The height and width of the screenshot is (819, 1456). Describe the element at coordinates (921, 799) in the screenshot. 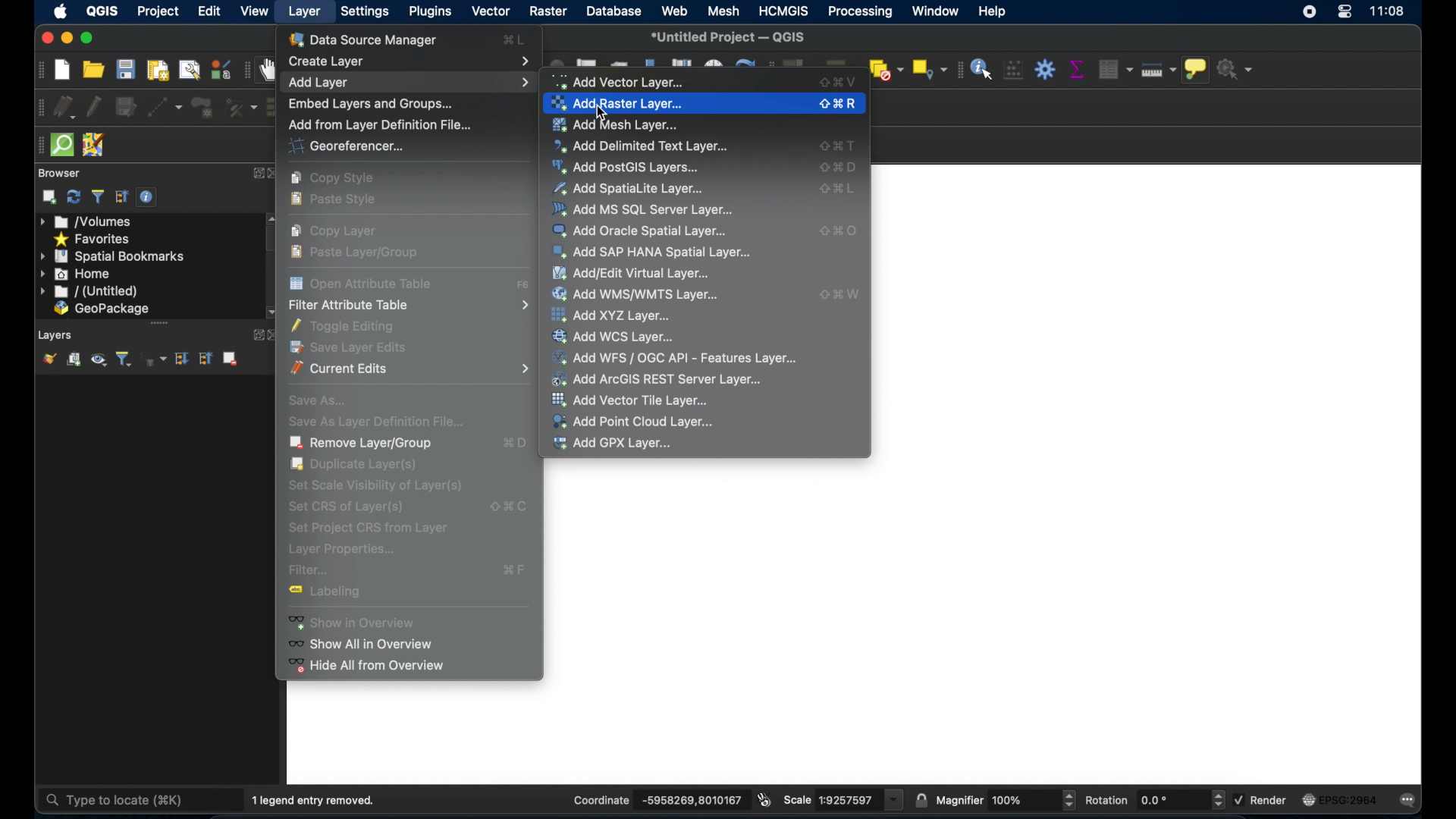

I see `lock scale` at that location.